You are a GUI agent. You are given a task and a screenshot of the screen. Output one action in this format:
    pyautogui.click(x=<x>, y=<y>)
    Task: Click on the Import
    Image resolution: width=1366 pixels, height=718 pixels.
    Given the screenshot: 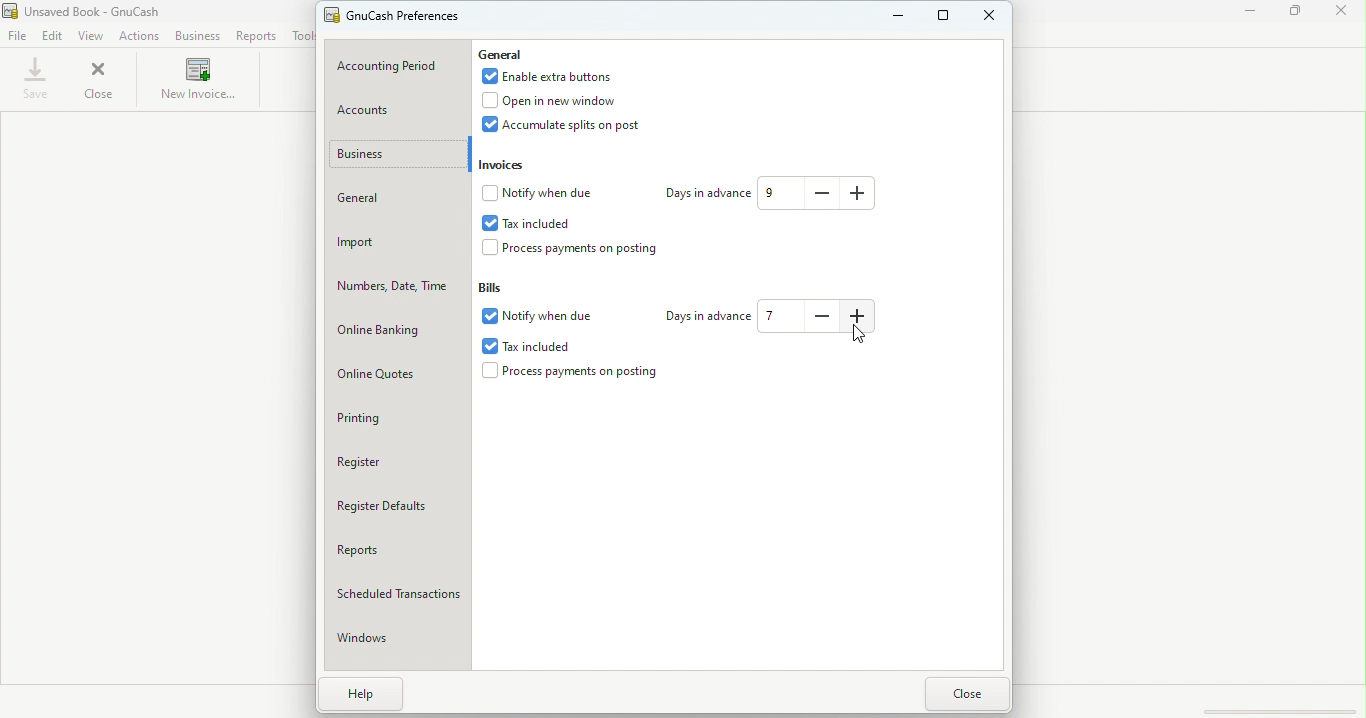 What is the action you would take?
    pyautogui.click(x=395, y=242)
    